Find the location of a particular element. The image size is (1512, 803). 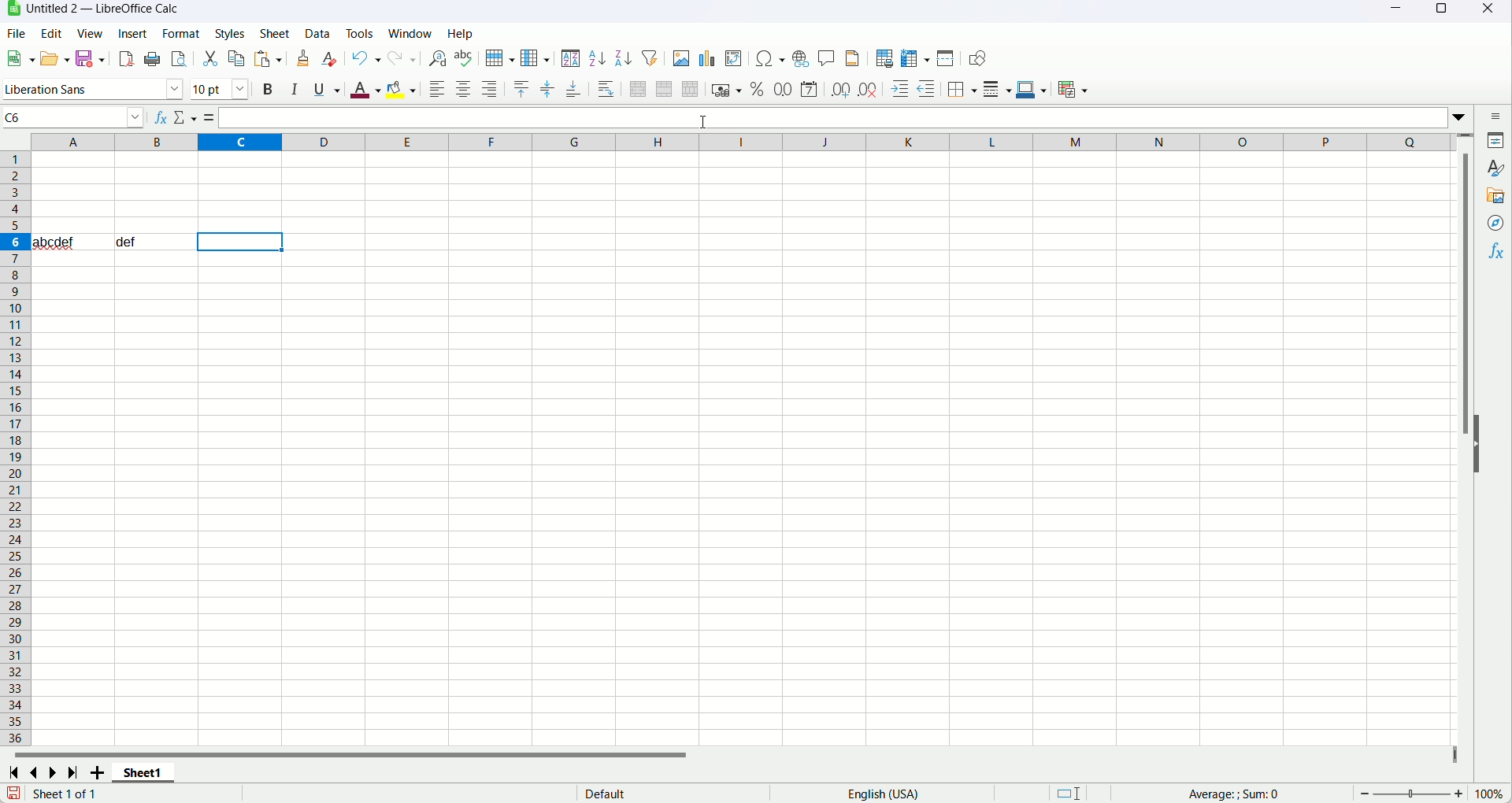

spelling is located at coordinates (463, 57).